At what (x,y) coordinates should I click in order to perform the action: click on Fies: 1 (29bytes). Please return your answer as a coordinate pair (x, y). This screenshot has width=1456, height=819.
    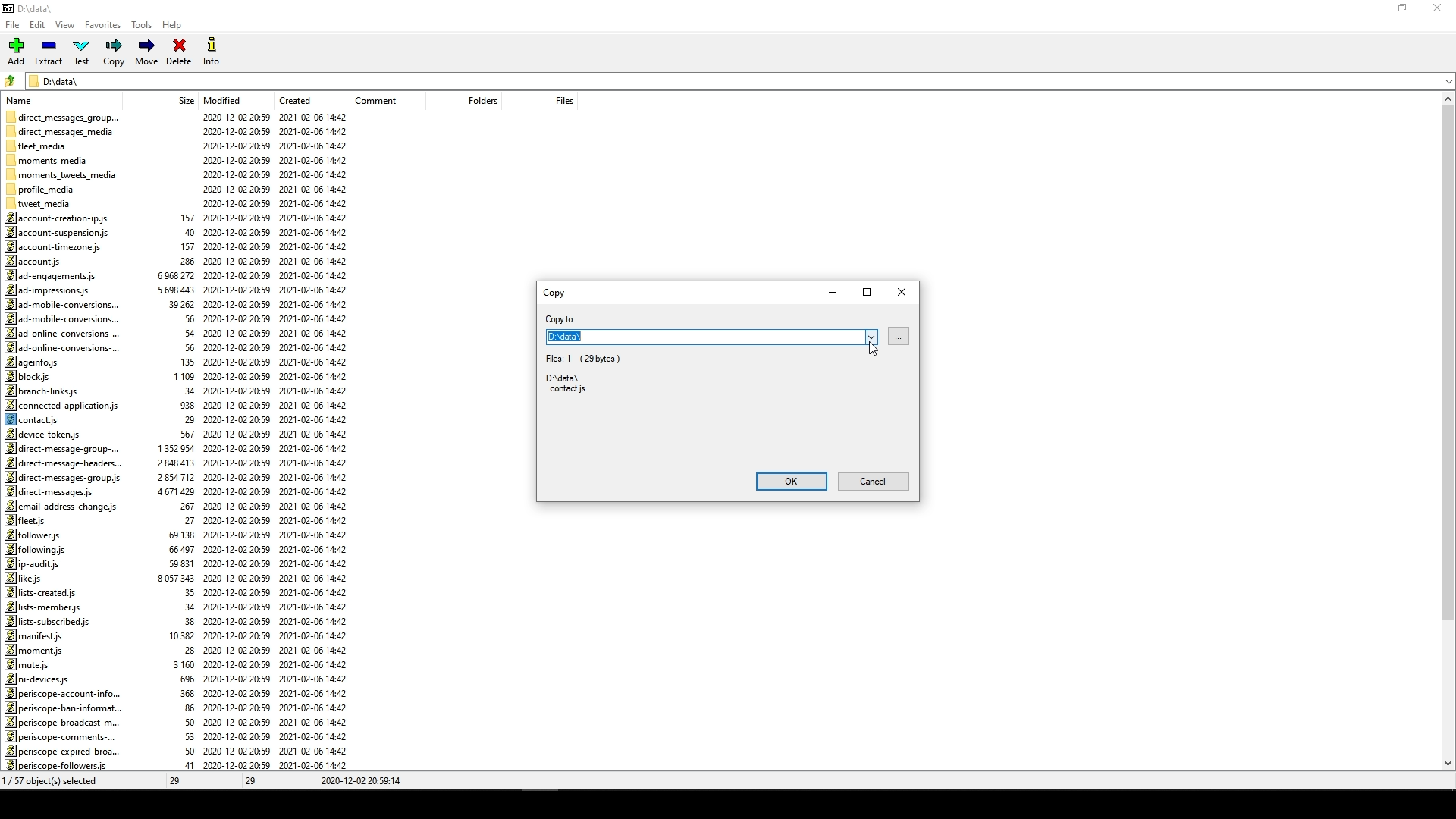
    Looking at the image, I should click on (580, 359).